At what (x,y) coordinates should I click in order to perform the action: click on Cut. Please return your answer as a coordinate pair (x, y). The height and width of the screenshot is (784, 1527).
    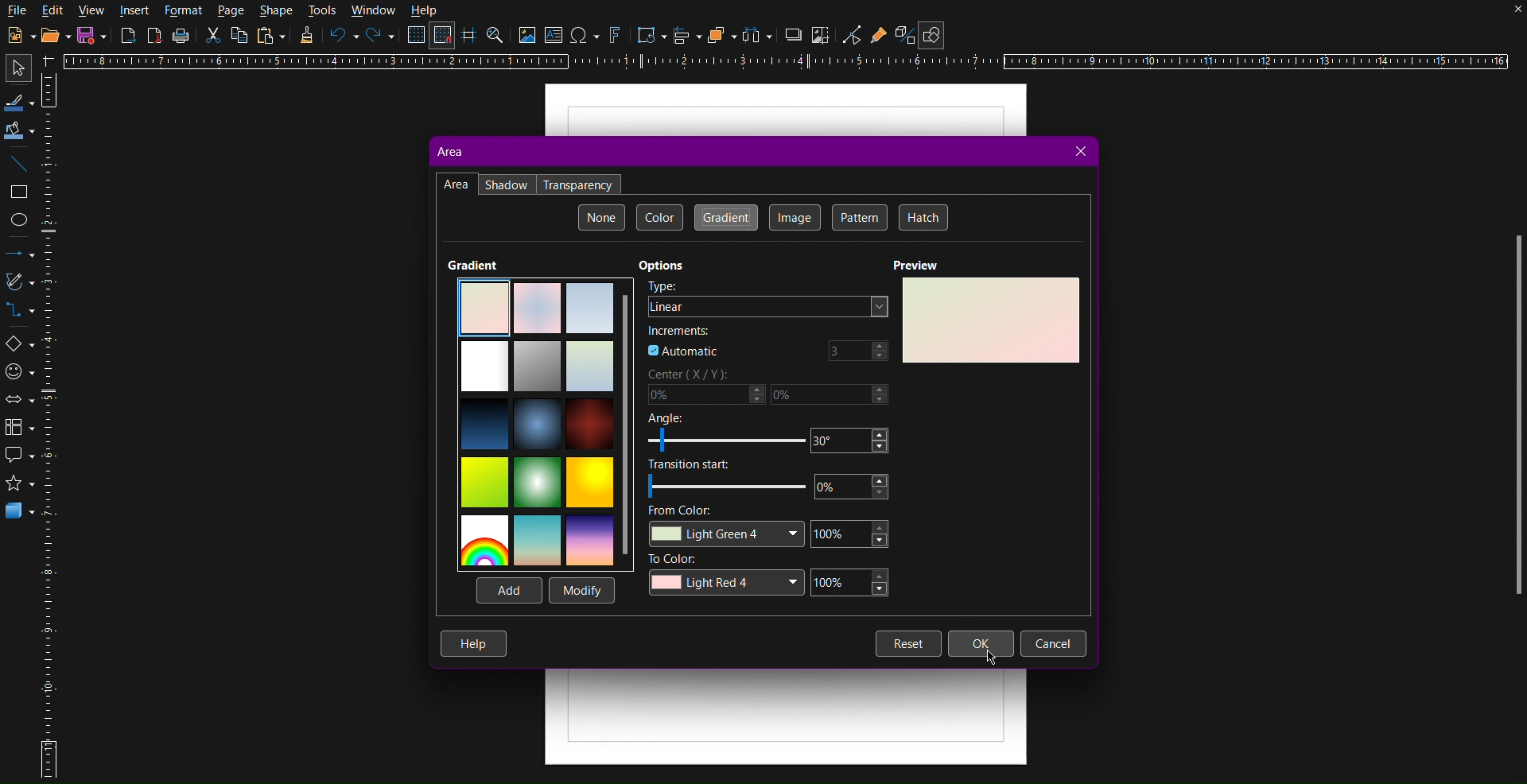
    Looking at the image, I should click on (214, 39).